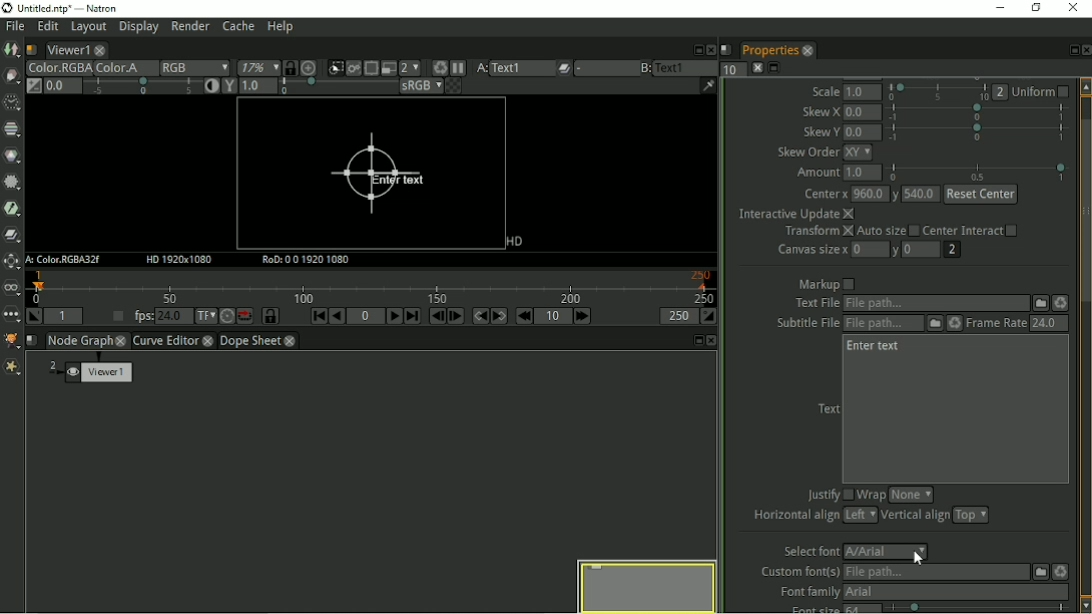 The image size is (1092, 614). What do you see at coordinates (93, 374) in the screenshot?
I see `Viewer 1` at bounding box center [93, 374].